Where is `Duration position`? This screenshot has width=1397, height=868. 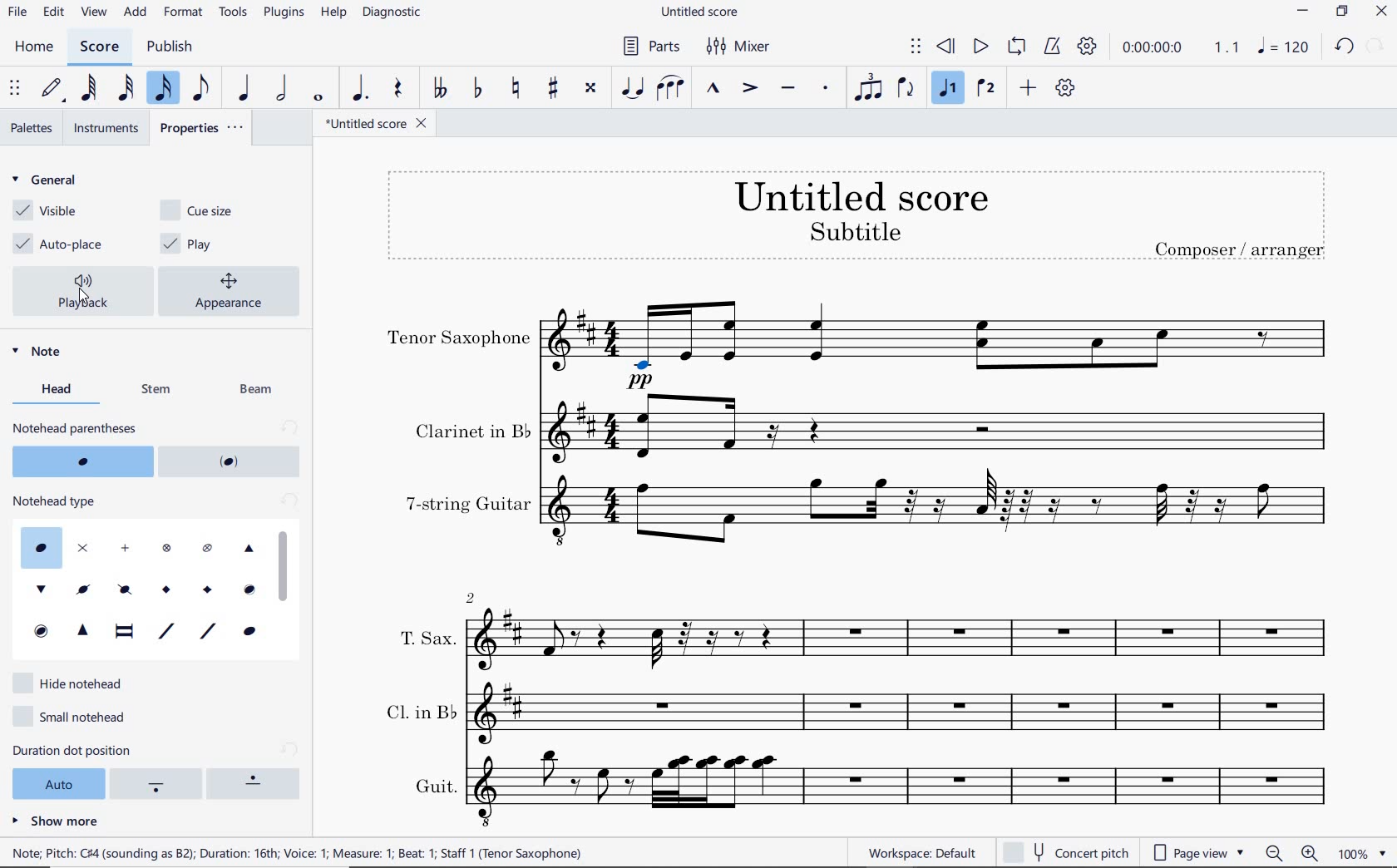 Duration position is located at coordinates (257, 783).